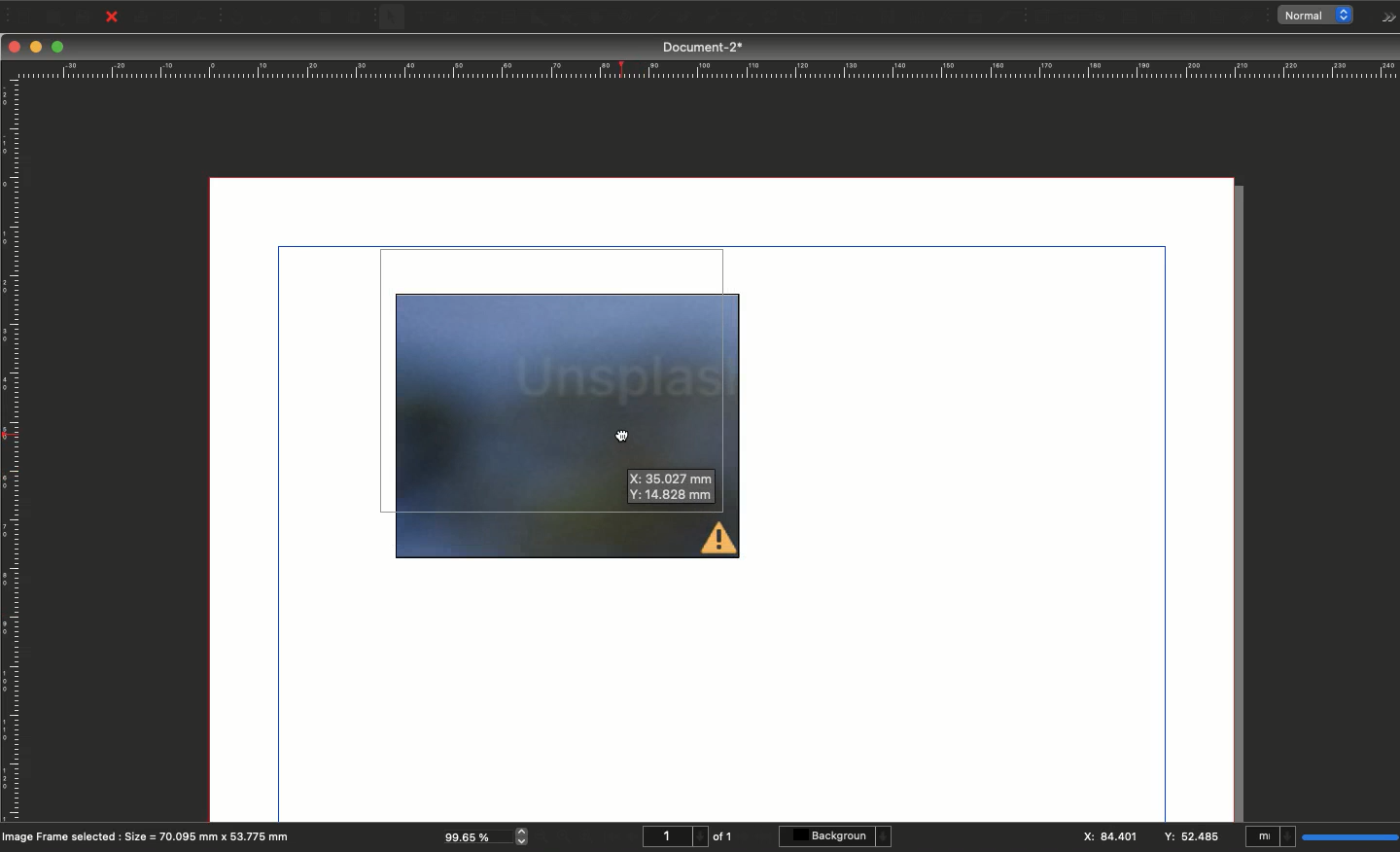 The width and height of the screenshot is (1400, 852). I want to click on Bézier curve, so click(681, 18).